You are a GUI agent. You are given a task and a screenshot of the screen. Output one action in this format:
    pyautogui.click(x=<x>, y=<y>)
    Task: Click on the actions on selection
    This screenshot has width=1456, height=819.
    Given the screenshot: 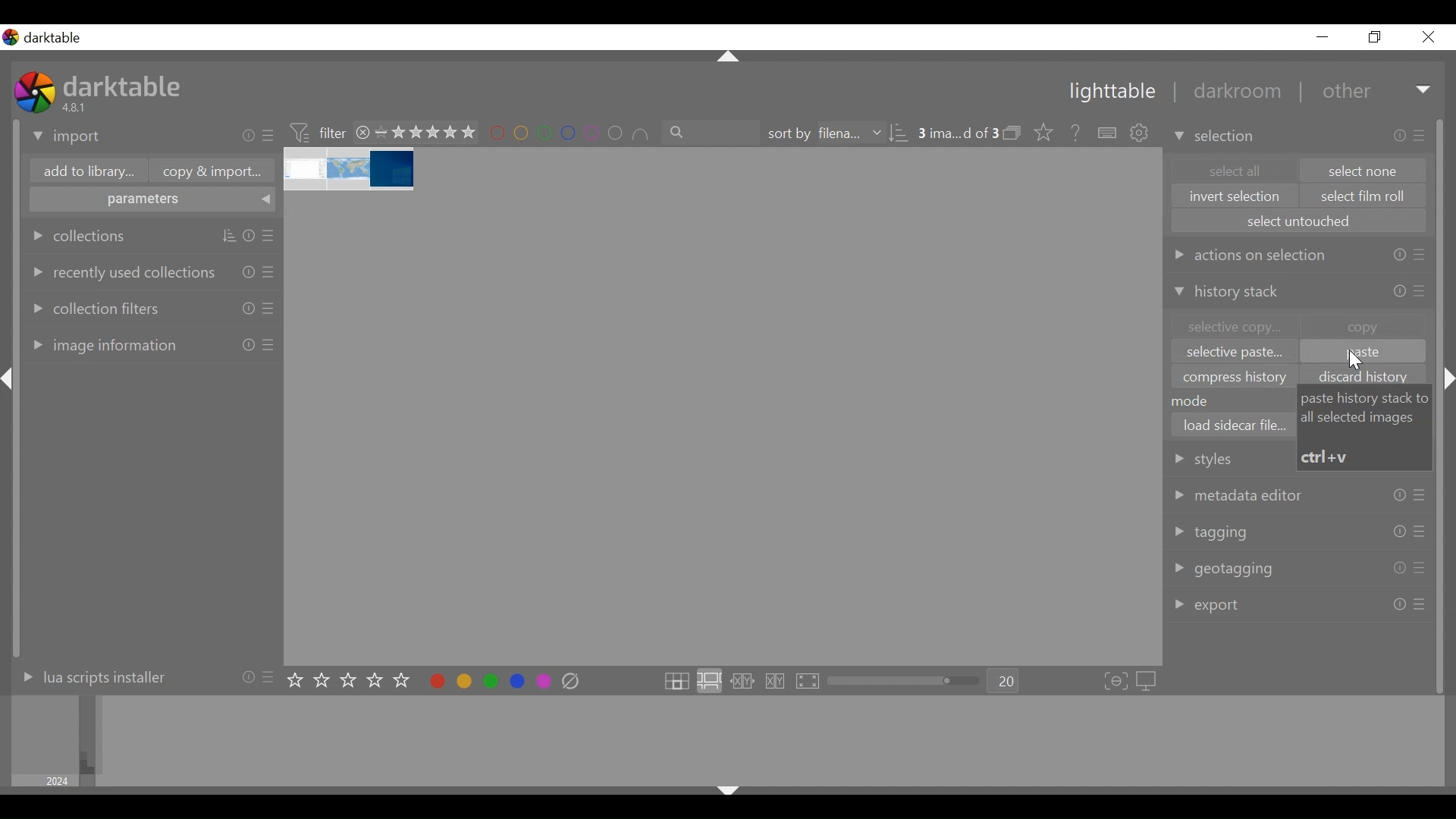 What is the action you would take?
    pyautogui.click(x=1249, y=254)
    